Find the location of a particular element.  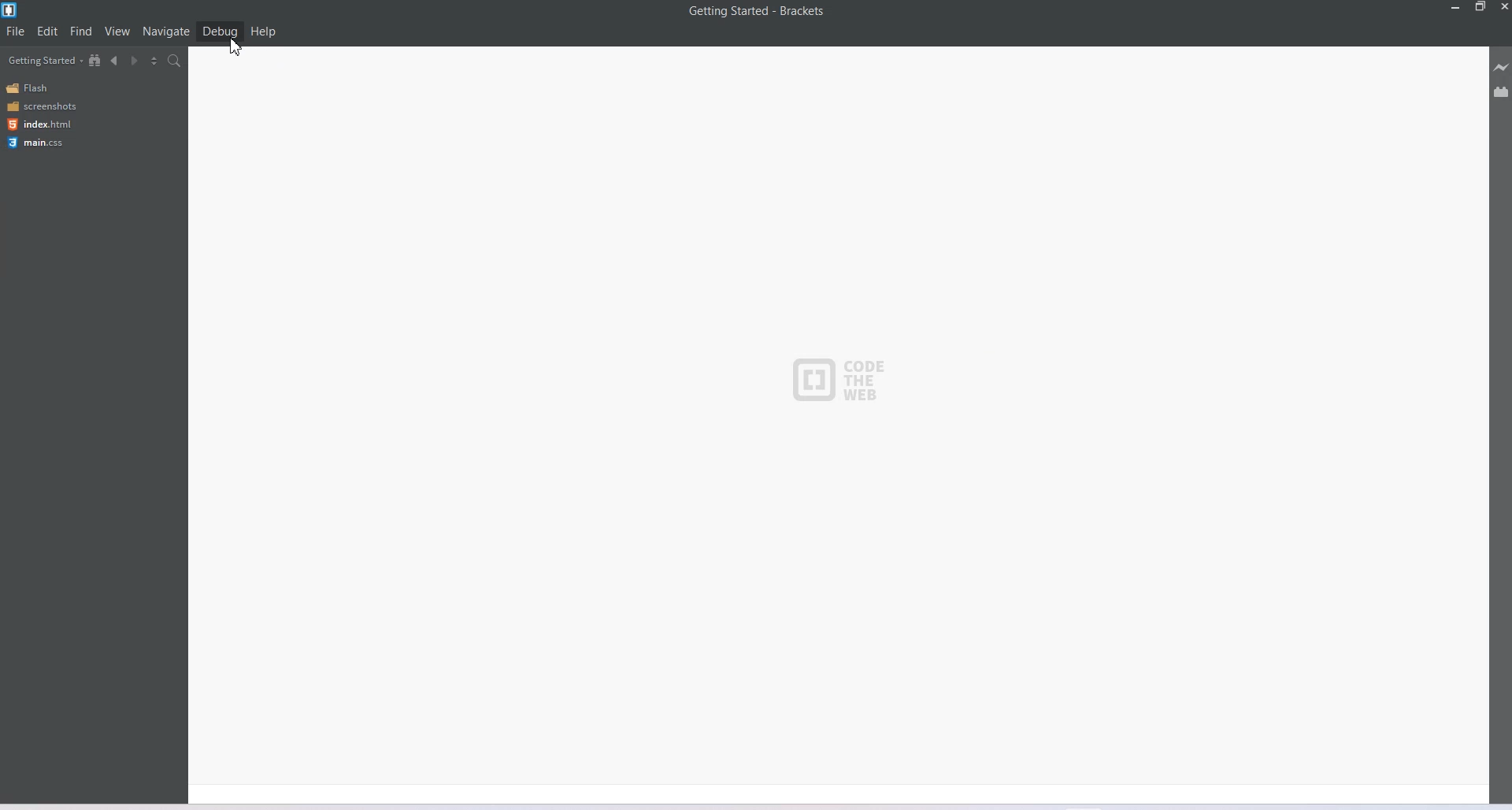

Live Preview is located at coordinates (1501, 67).